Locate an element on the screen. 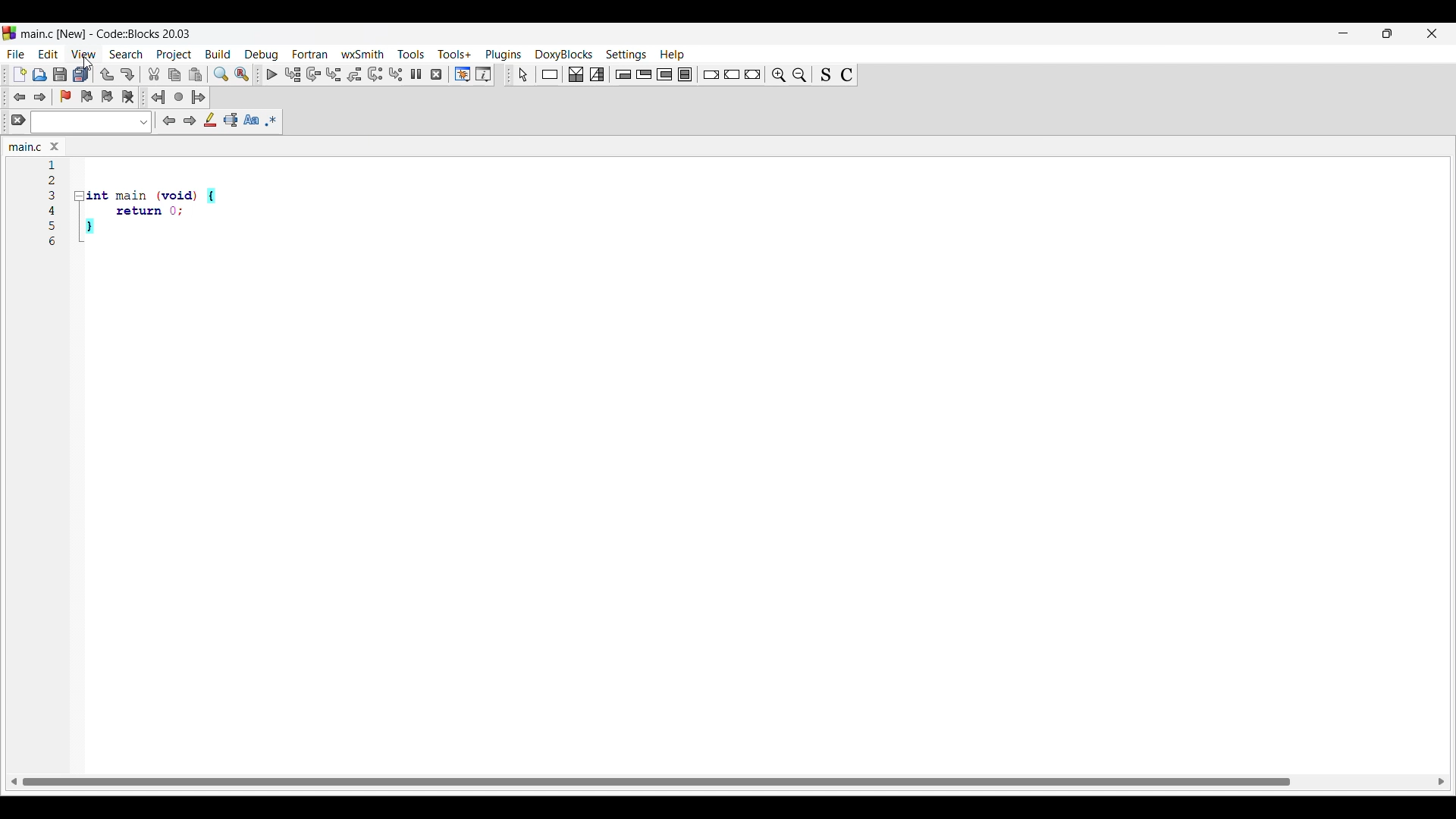 The image size is (1456, 819). Undo is located at coordinates (107, 74).